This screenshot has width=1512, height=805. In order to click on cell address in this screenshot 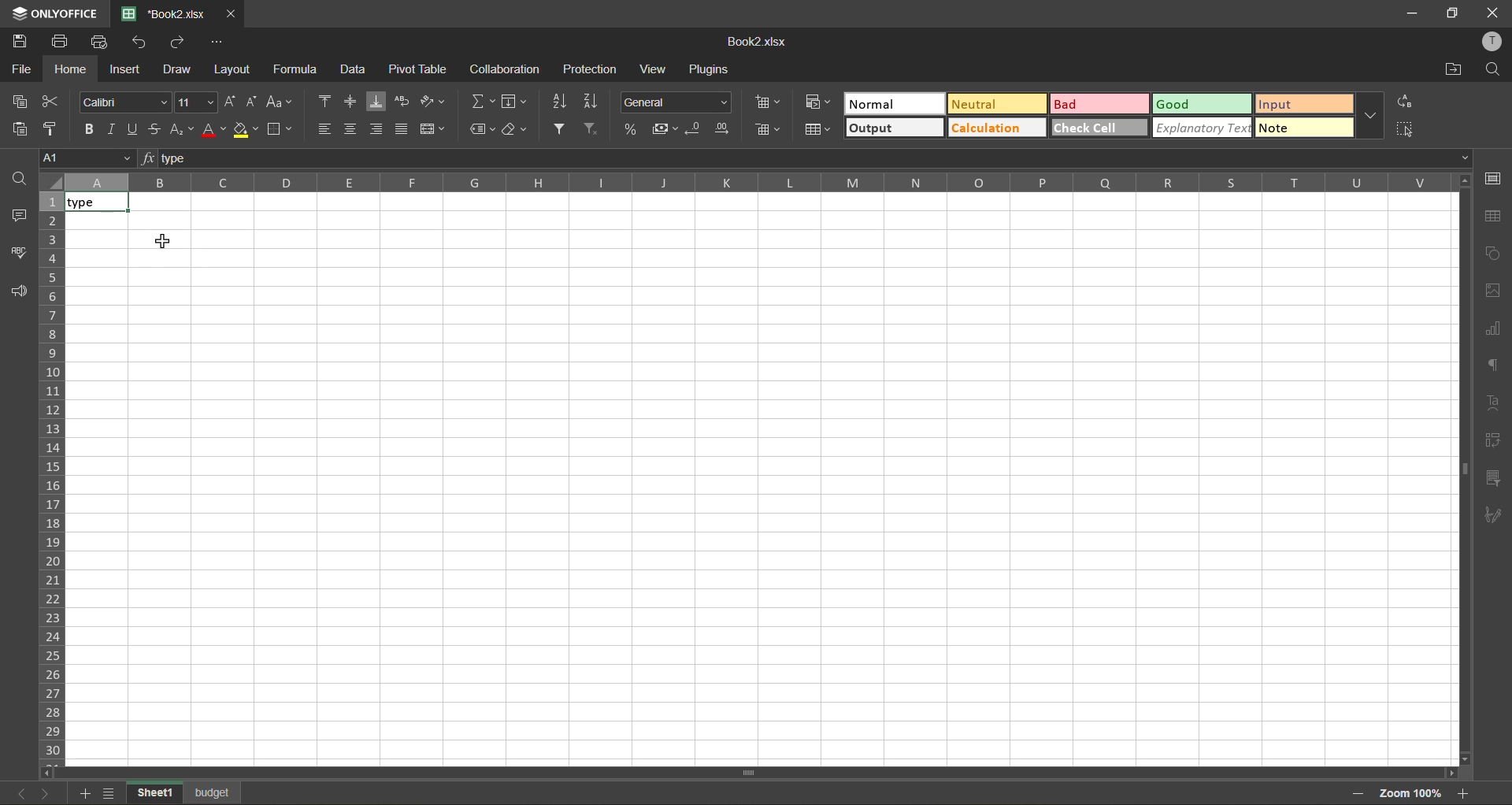, I will do `click(89, 159)`.